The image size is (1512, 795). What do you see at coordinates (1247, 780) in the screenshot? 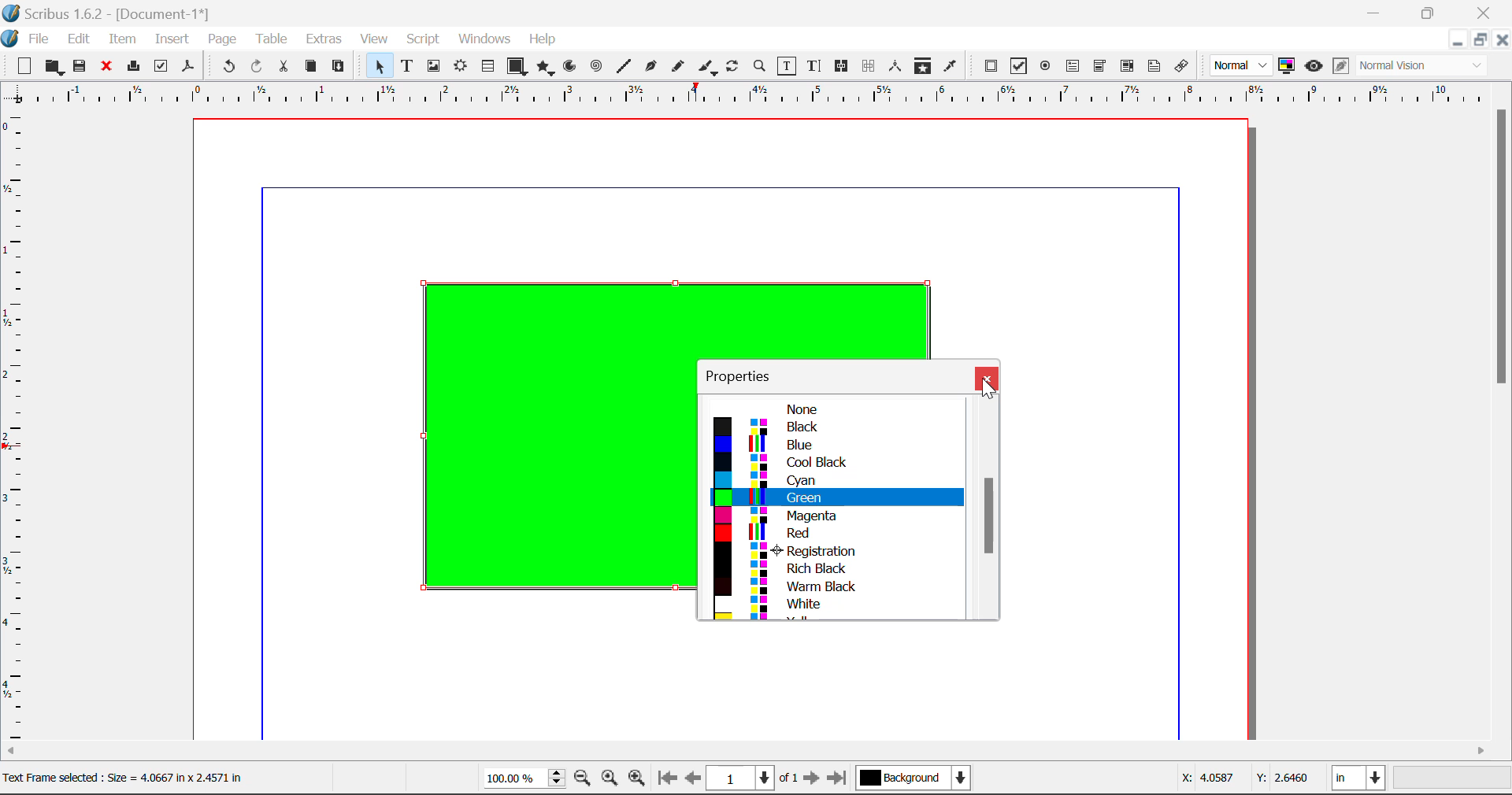
I see `Cursor Coordinates` at bounding box center [1247, 780].